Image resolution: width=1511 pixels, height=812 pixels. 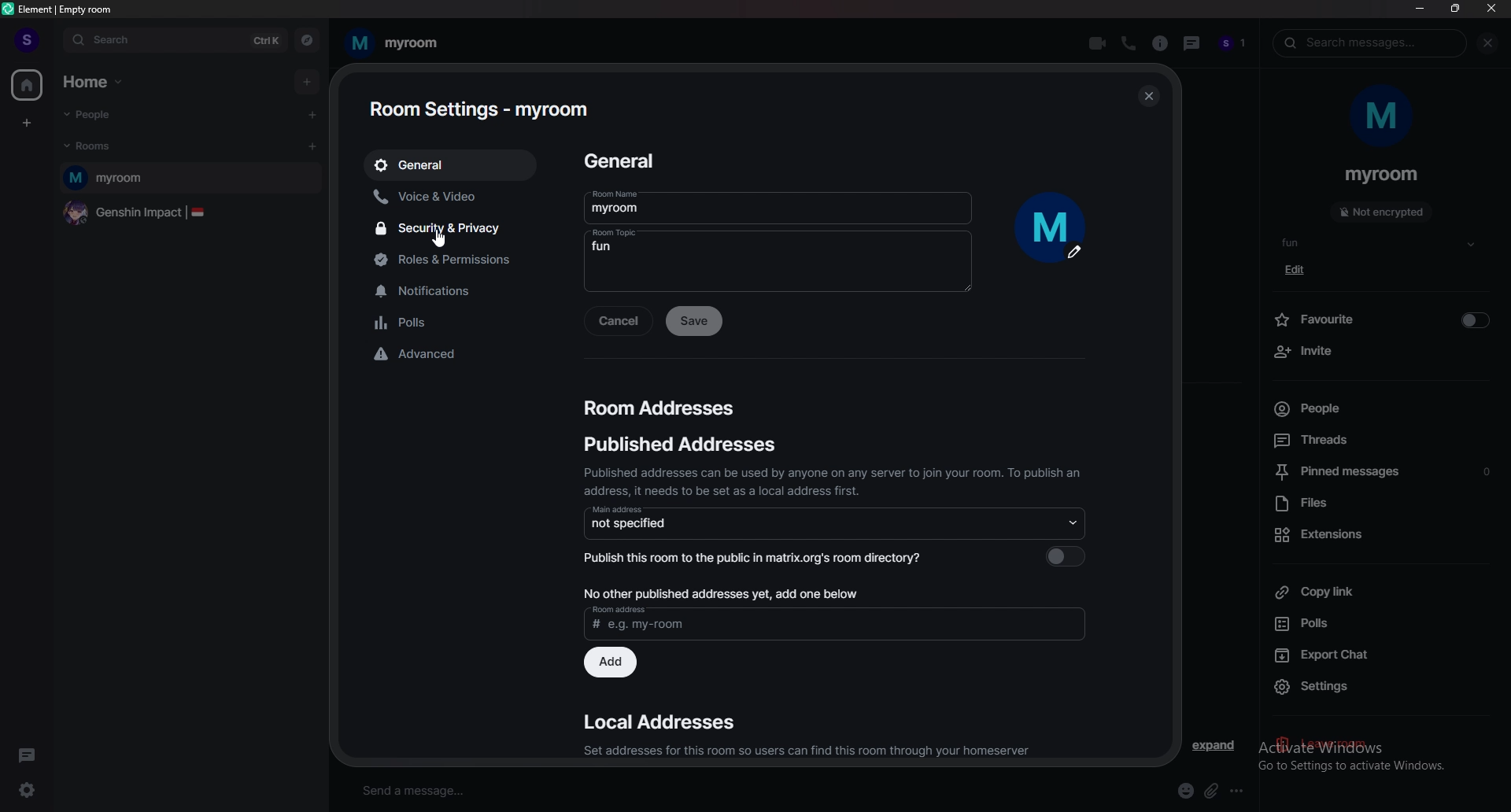 What do you see at coordinates (106, 147) in the screenshot?
I see `rooms` at bounding box center [106, 147].